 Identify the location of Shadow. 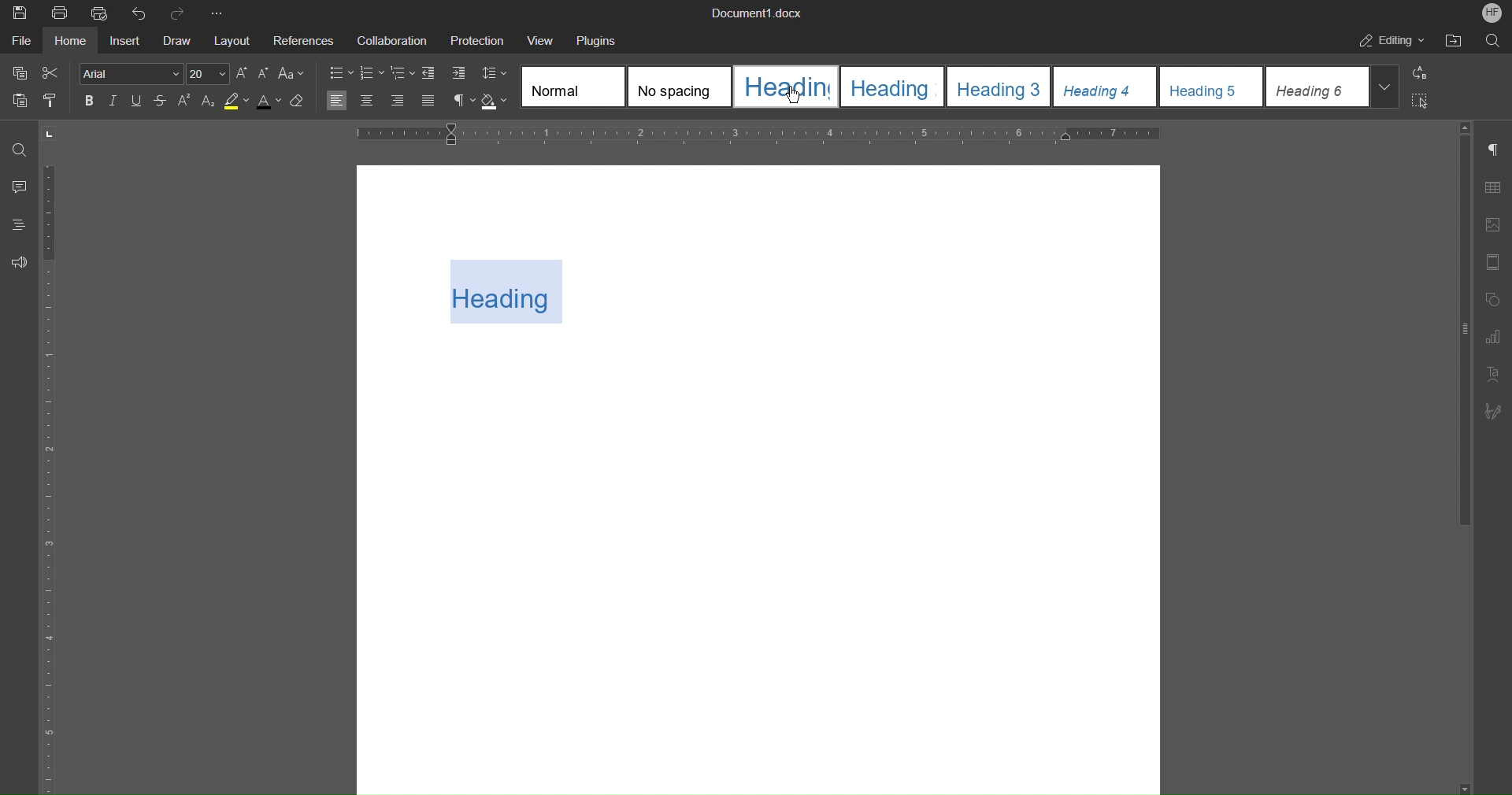
(495, 102).